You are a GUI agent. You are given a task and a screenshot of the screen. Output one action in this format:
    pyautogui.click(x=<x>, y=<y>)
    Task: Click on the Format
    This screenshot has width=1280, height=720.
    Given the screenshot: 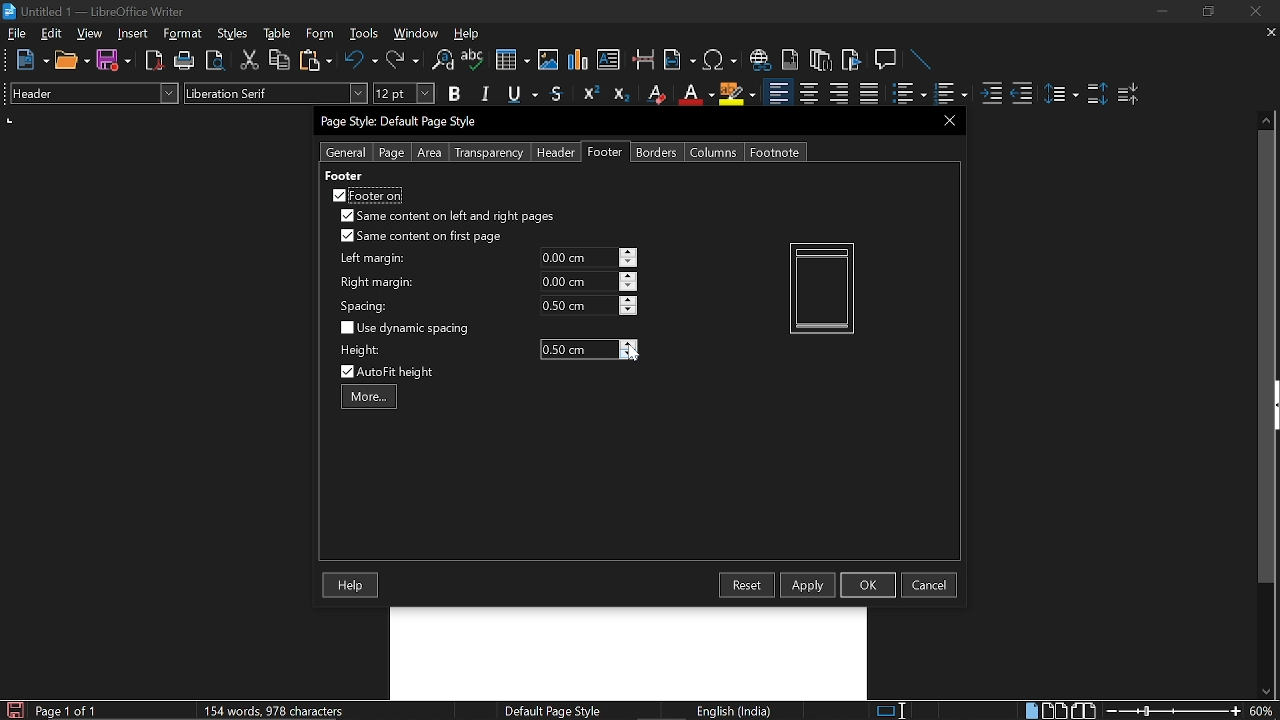 What is the action you would take?
    pyautogui.click(x=185, y=34)
    